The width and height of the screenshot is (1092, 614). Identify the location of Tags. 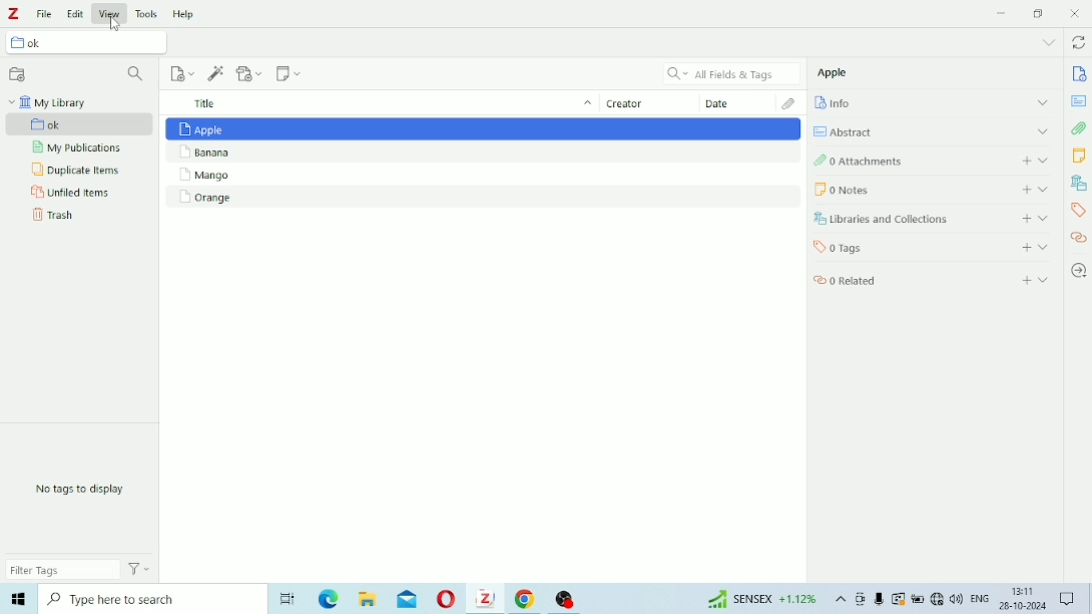
(1078, 212).